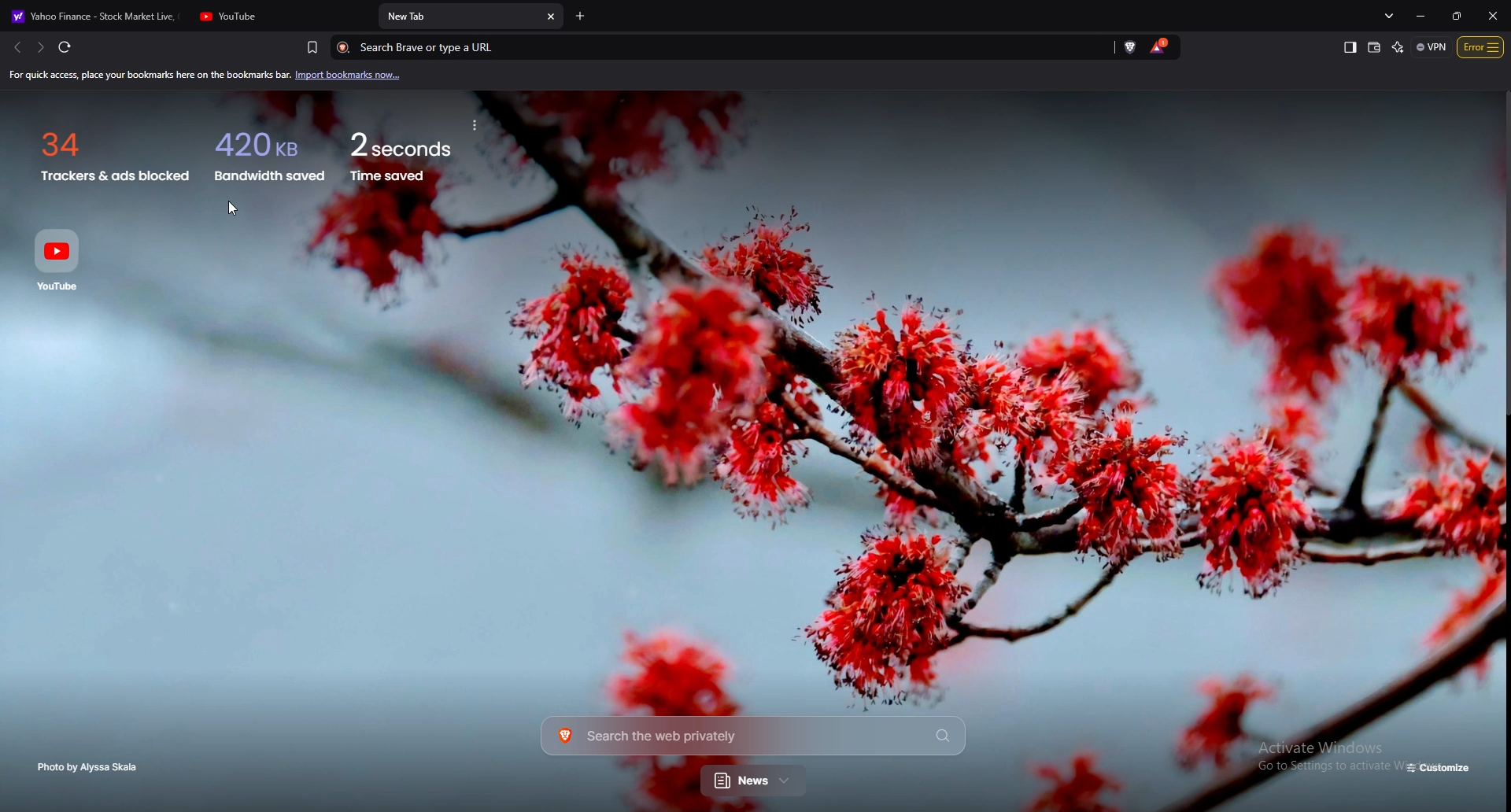 This screenshot has height=812, width=1511. Describe the element at coordinates (234, 209) in the screenshot. I see `cursor` at that location.